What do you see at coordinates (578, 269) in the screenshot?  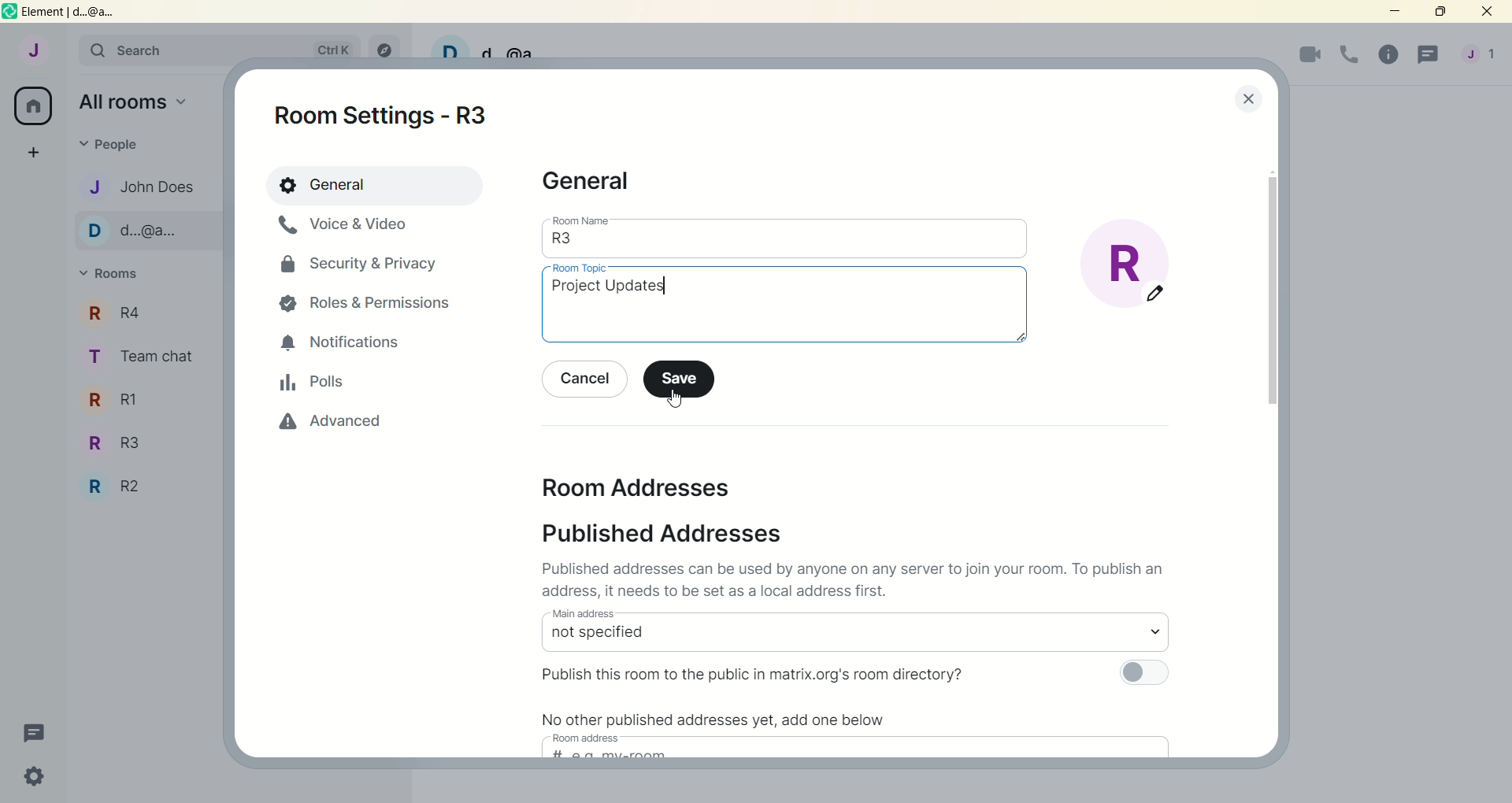 I see `room topic` at bounding box center [578, 269].